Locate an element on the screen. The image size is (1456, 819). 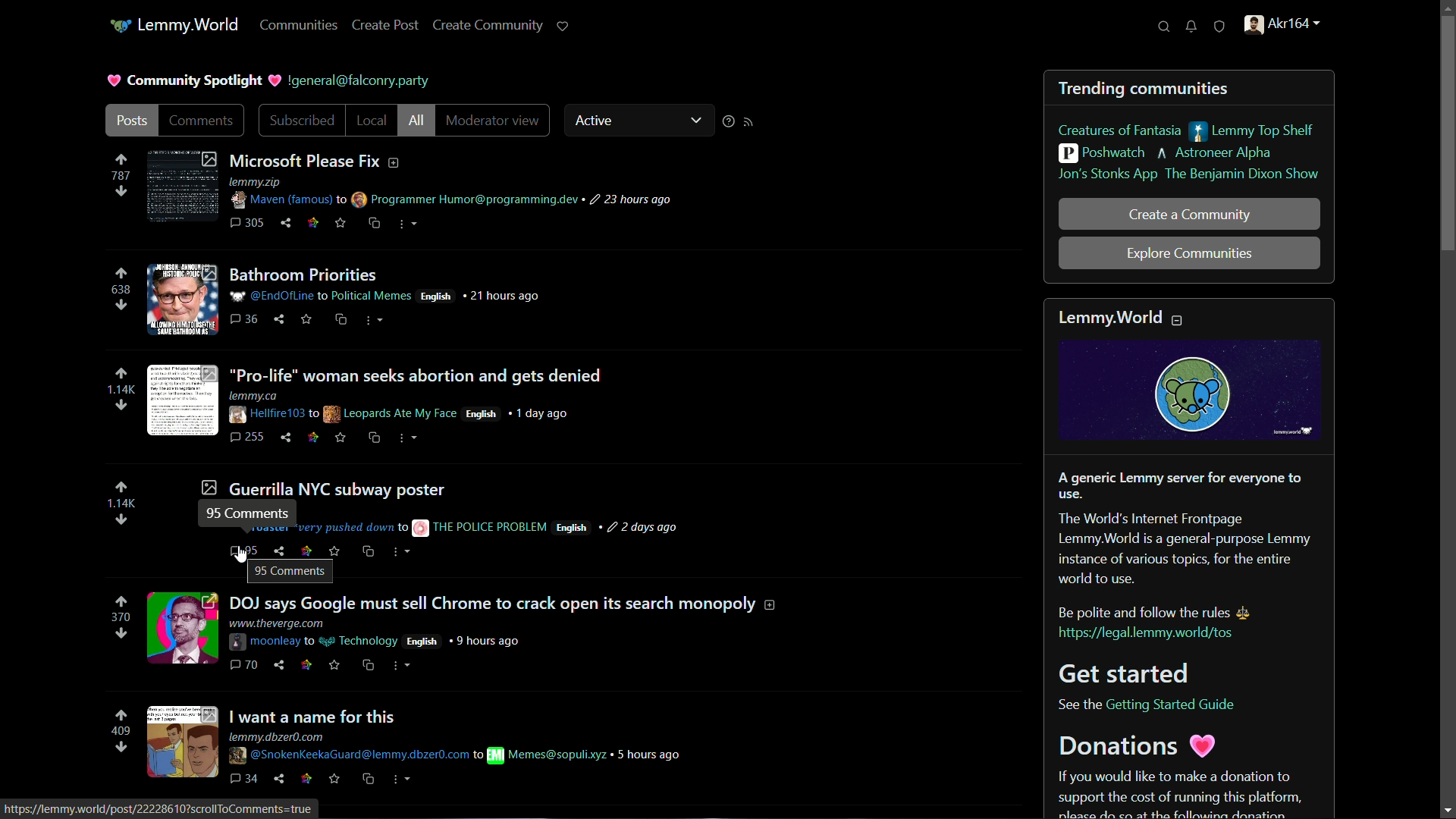
options is located at coordinates (402, 779).